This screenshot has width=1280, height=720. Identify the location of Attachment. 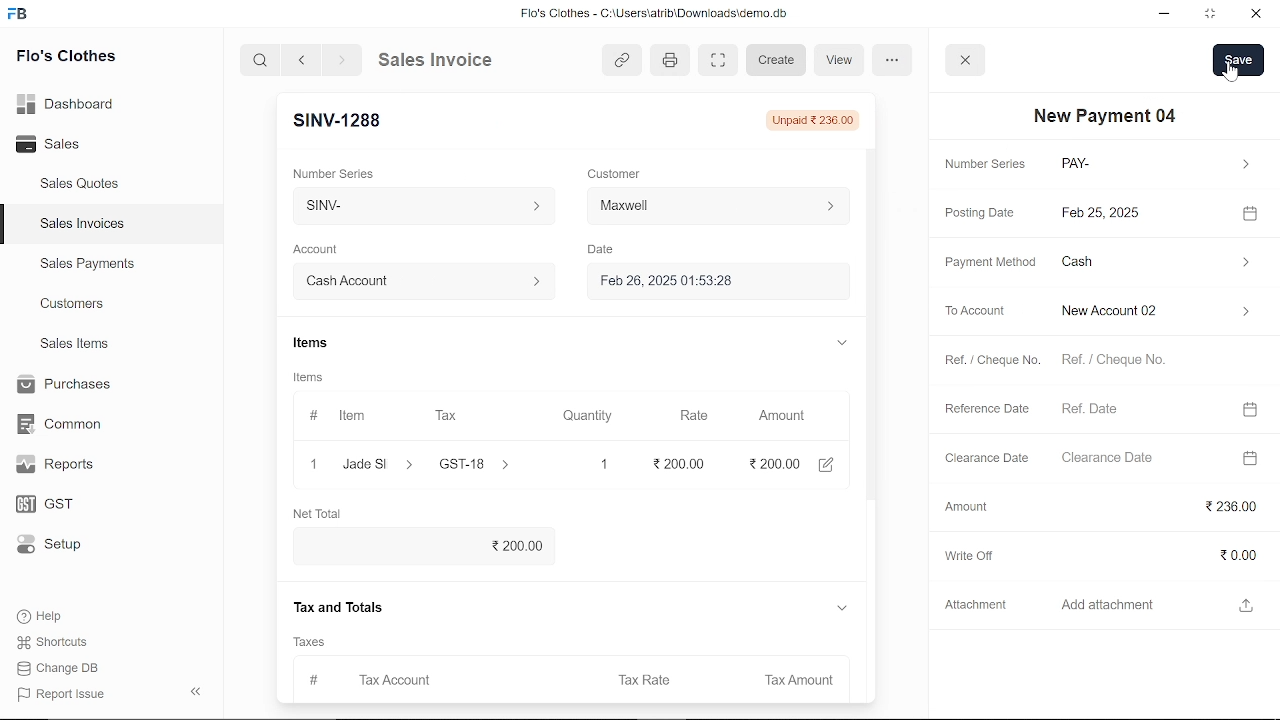
(976, 603).